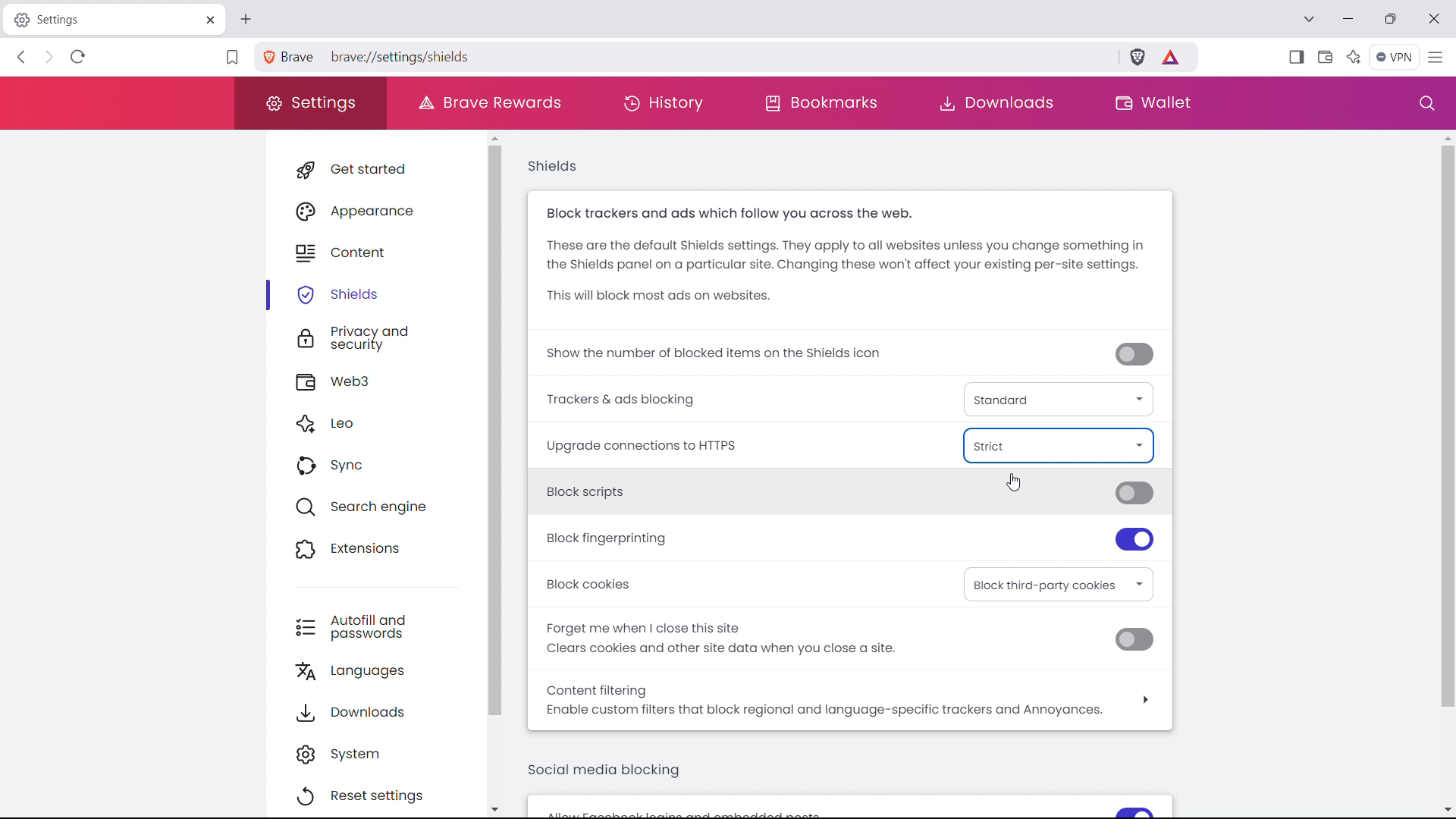 This screenshot has width=1456, height=819. Describe the element at coordinates (616, 538) in the screenshot. I see `block fingerprinting` at that location.